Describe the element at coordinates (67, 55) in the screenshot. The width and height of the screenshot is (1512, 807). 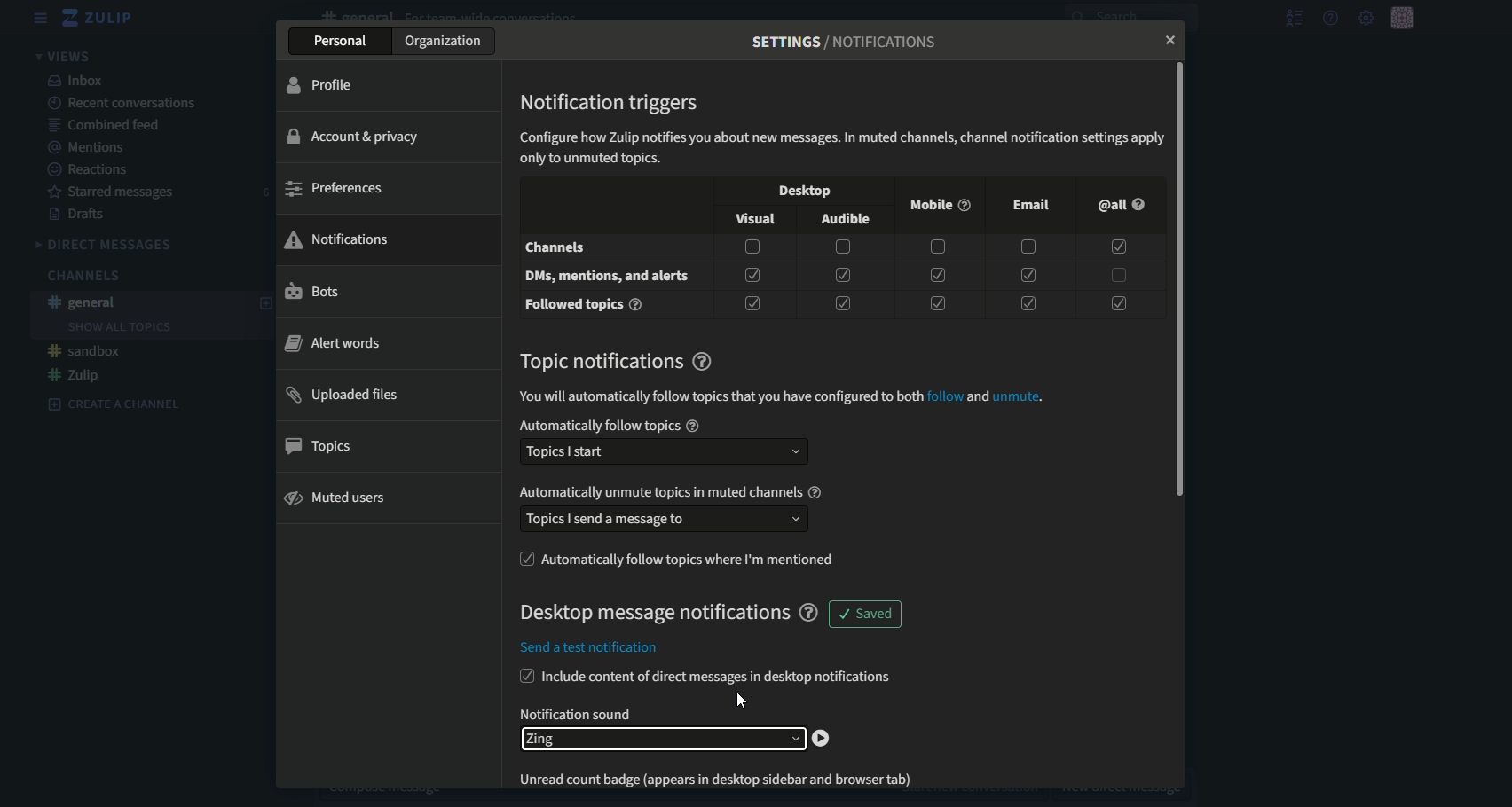
I see `views` at that location.